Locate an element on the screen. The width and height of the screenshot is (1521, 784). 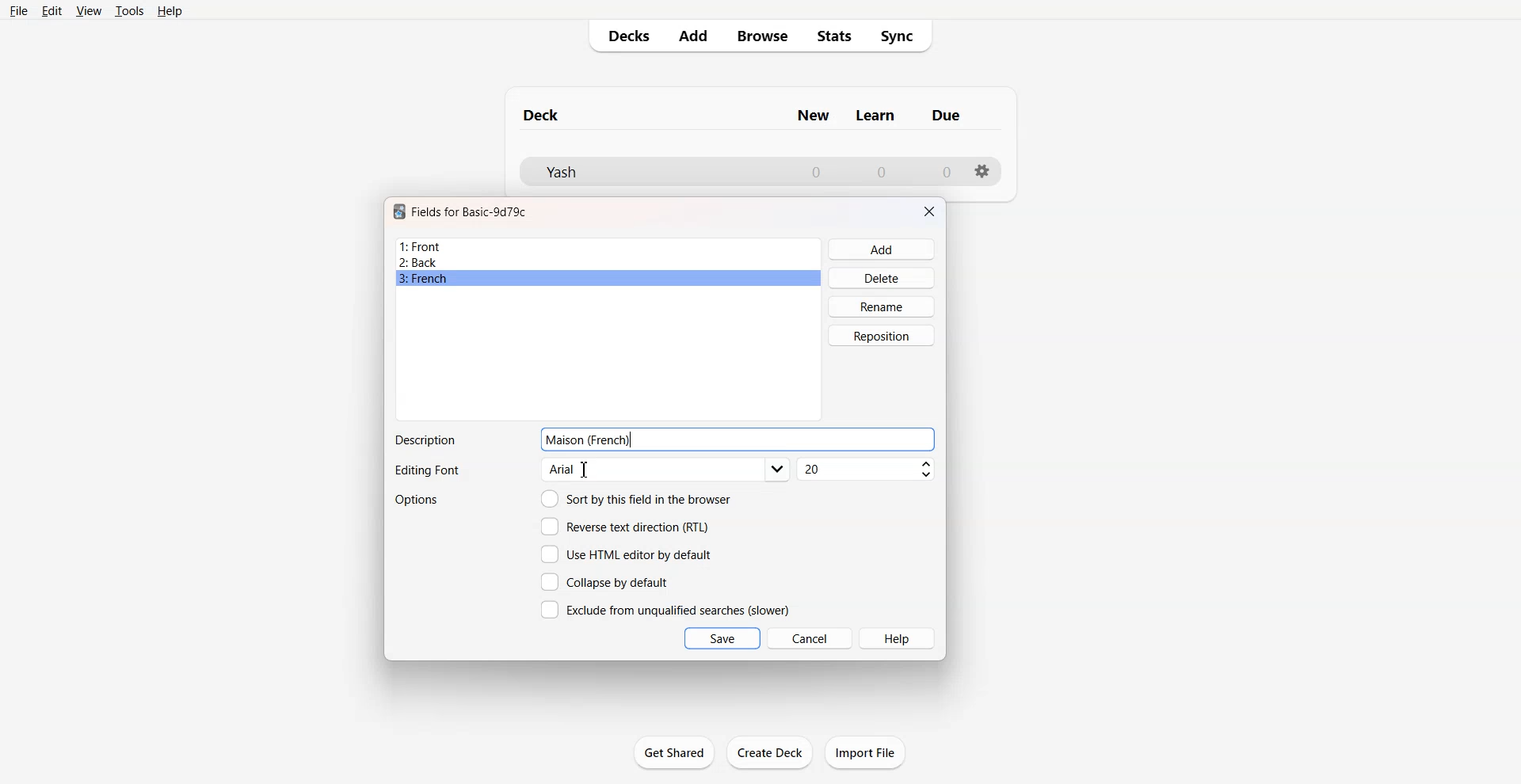
Front is located at coordinates (608, 246).